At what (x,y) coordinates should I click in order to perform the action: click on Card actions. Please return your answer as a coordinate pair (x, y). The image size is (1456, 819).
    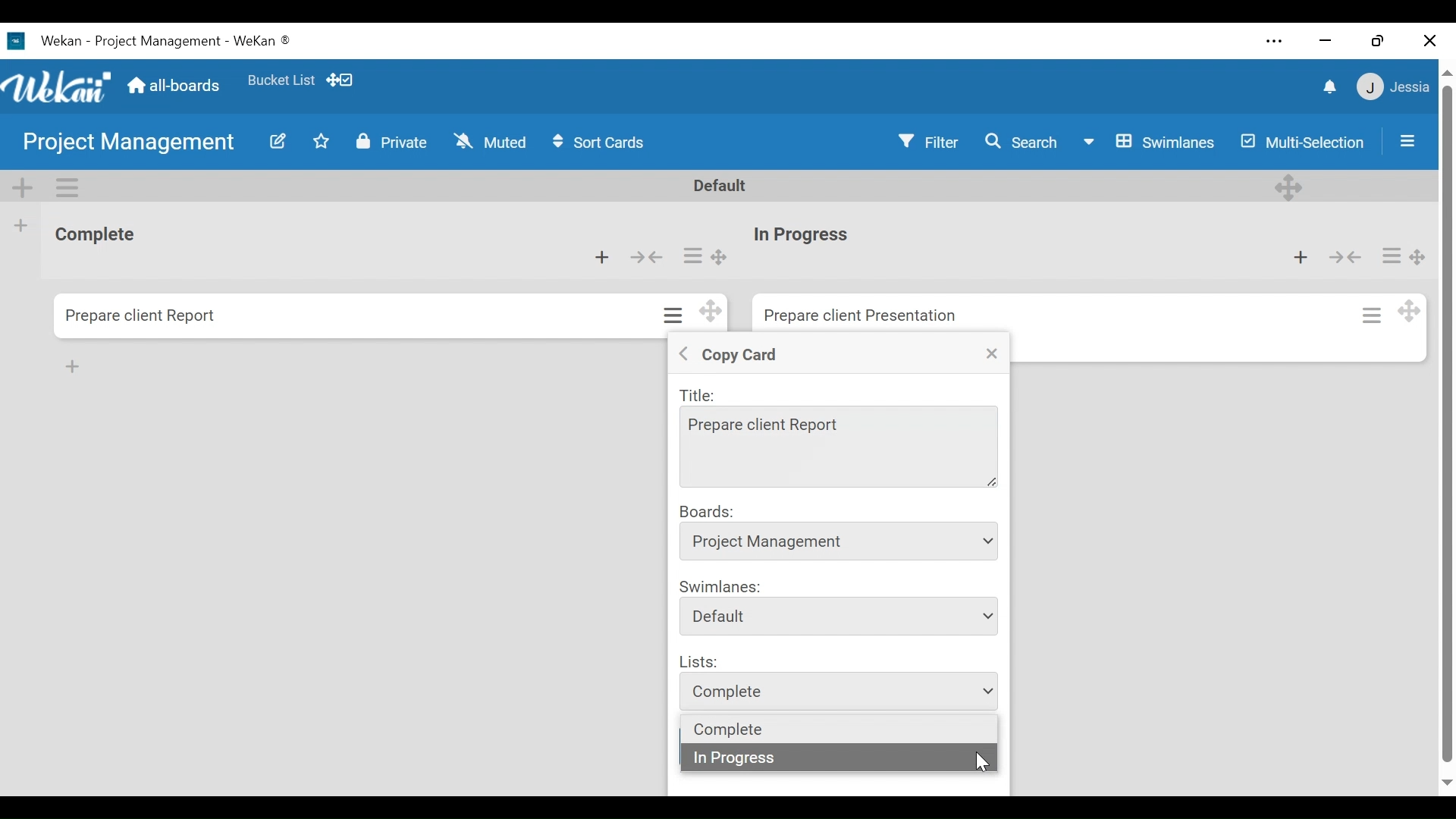
    Looking at the image, I should click on (1391, 256).